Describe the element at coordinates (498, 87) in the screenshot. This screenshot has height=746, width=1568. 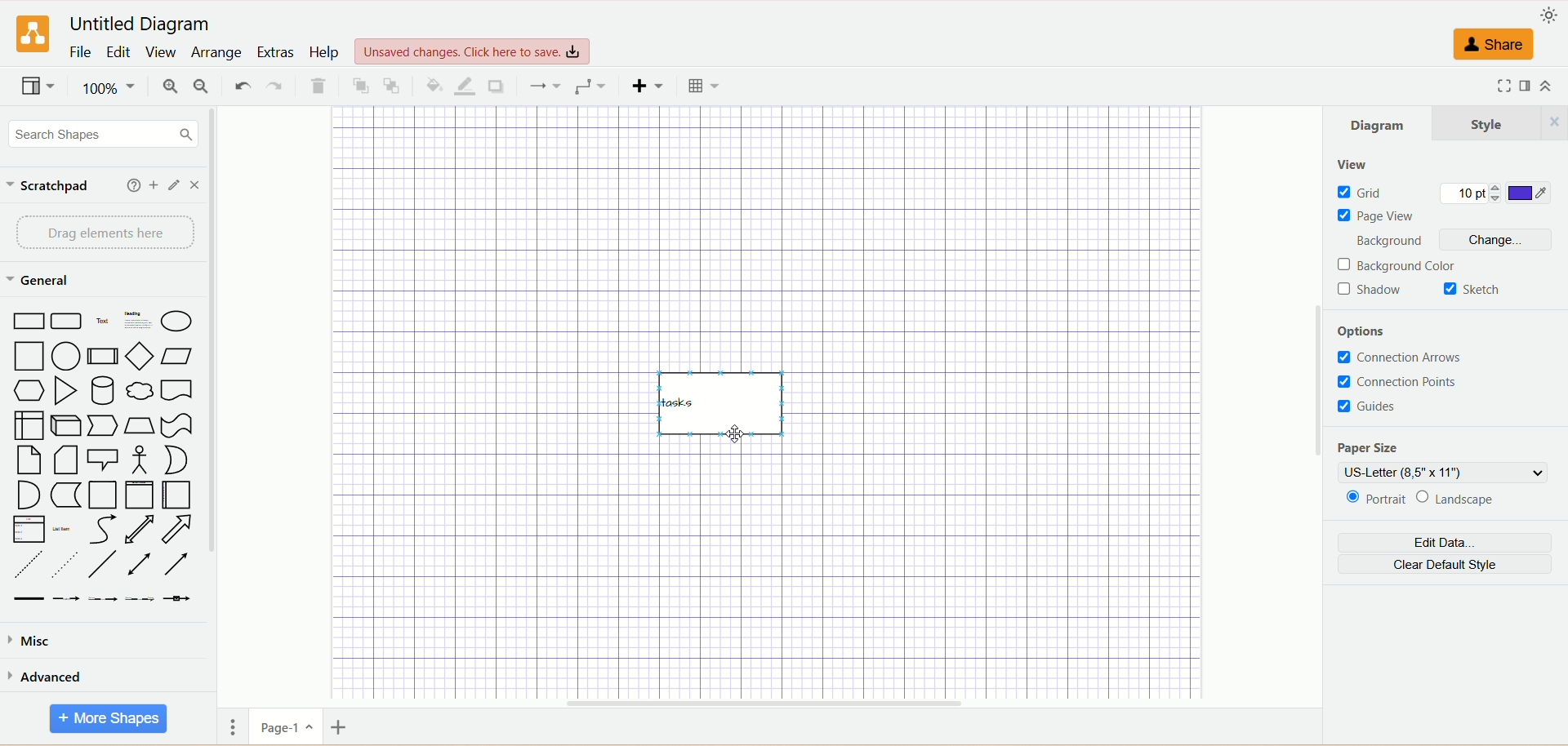
I see `shadow` at that location.